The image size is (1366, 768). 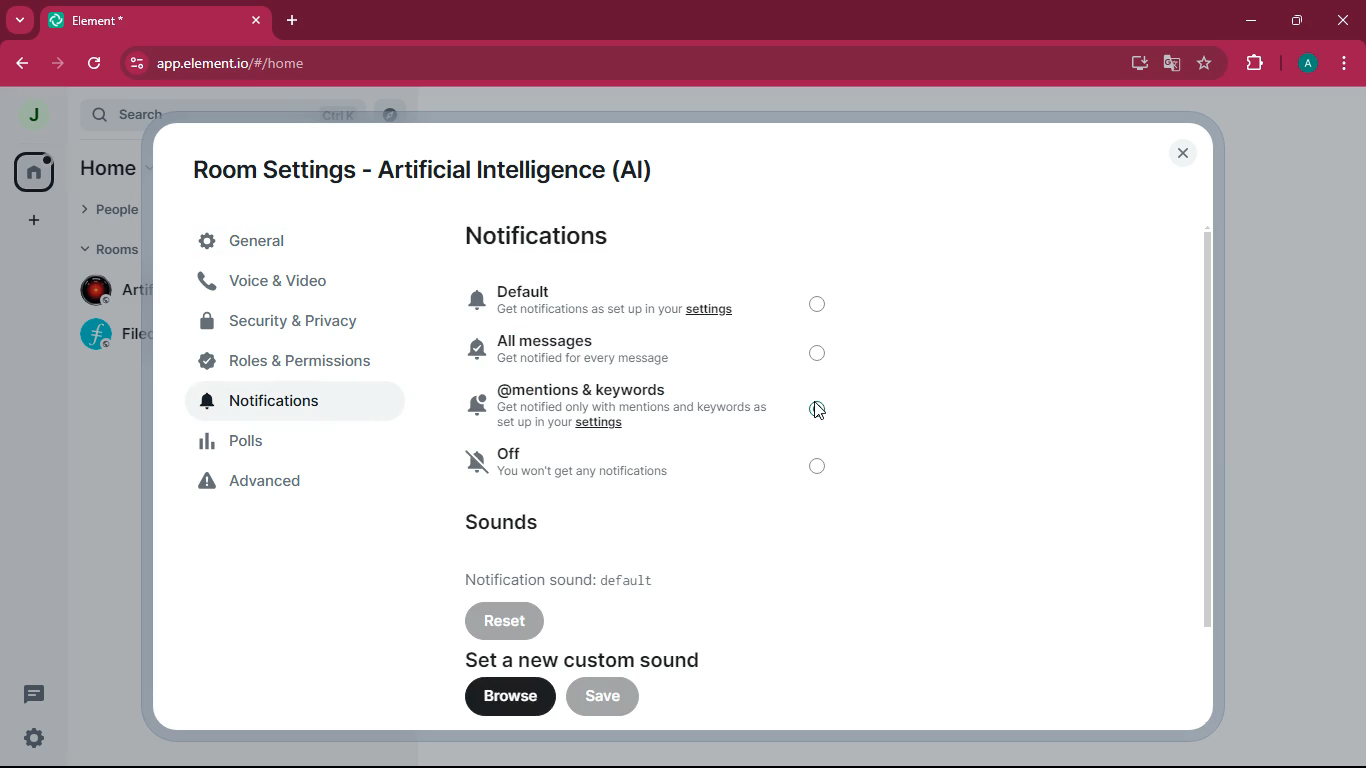 I want to click on favorite, so click(x=1206, y=66).